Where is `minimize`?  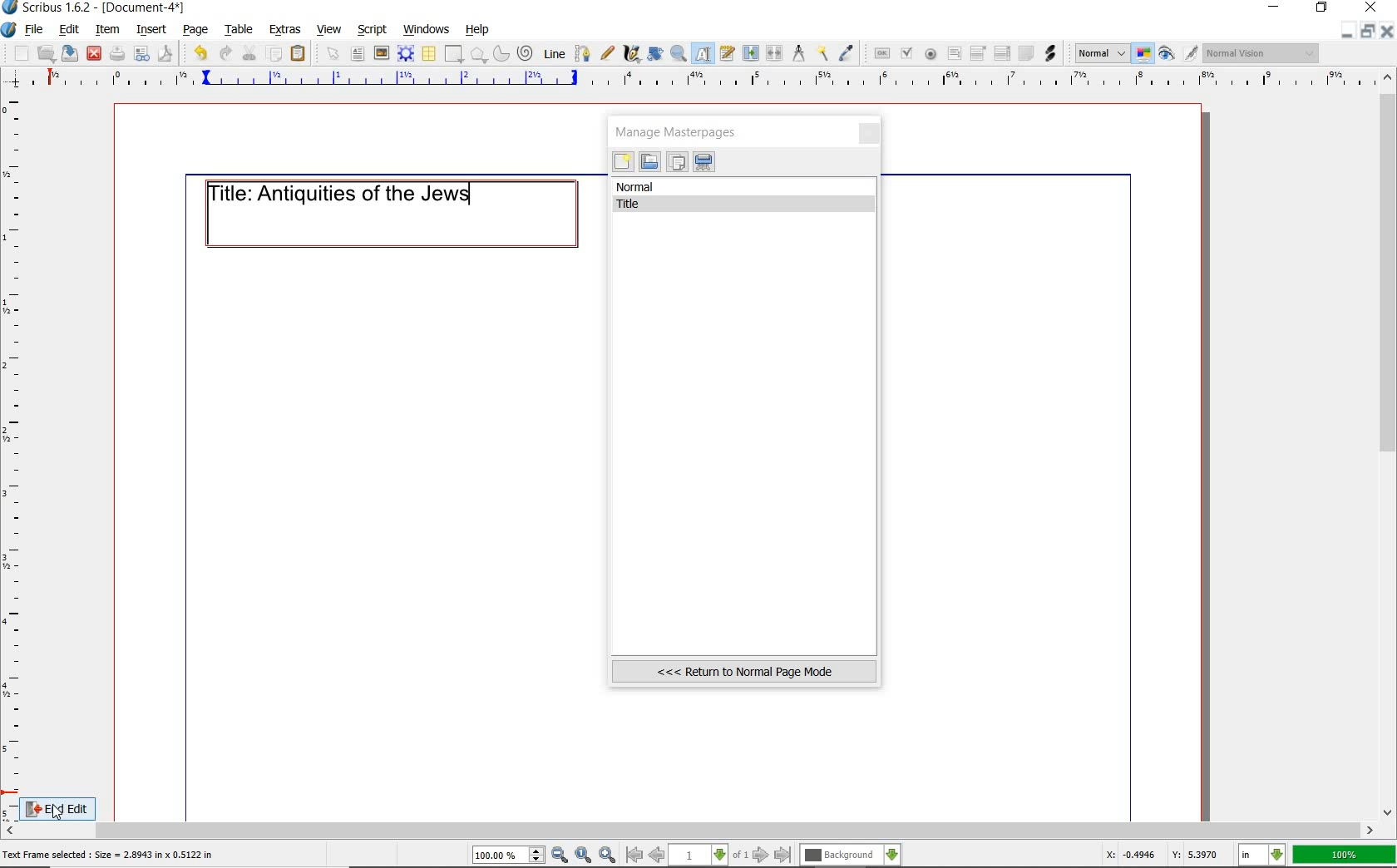 minimize is located at coordinates (1276, 8).